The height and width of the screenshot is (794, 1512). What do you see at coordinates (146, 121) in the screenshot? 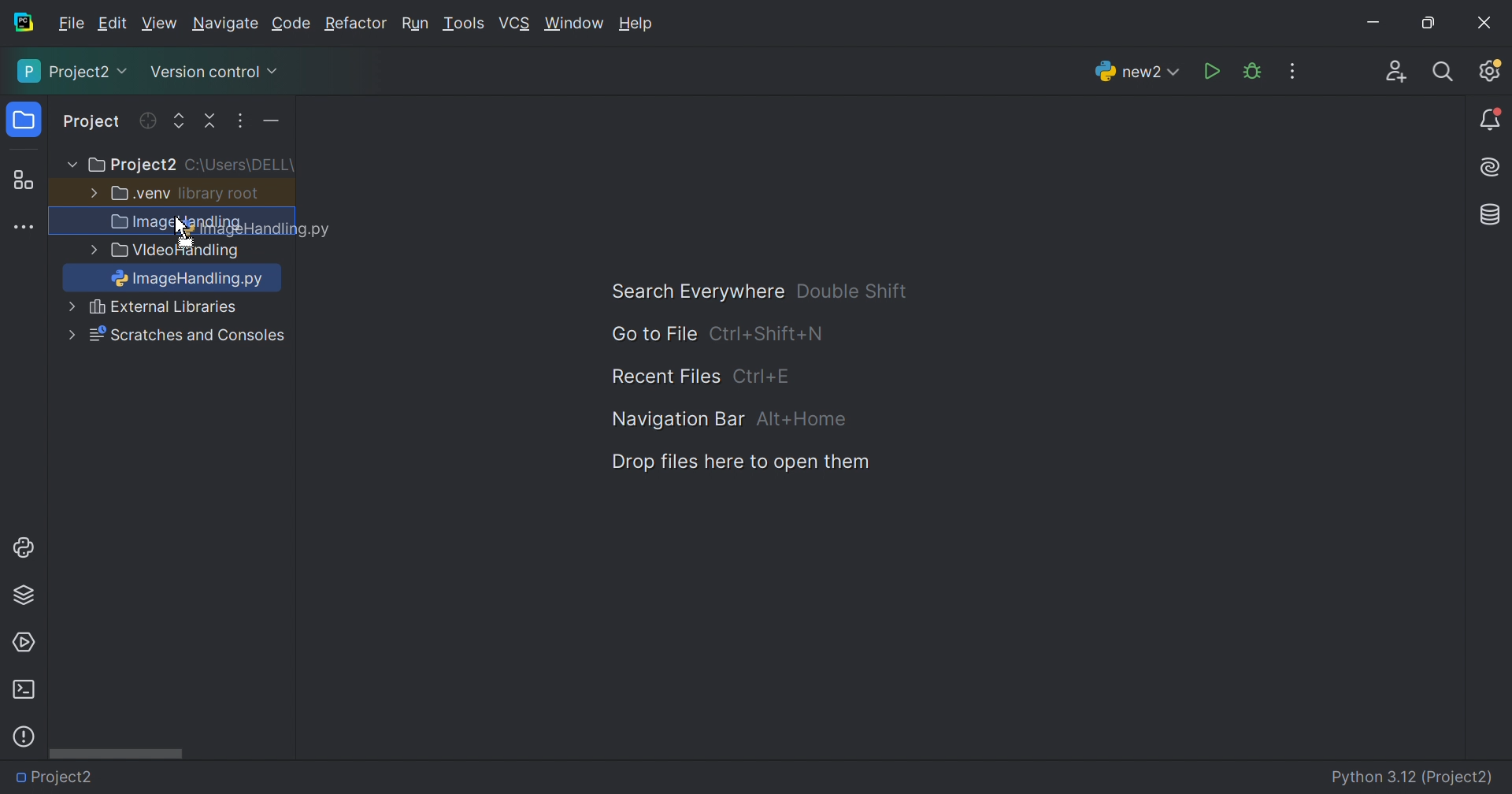
I see `Refresh` at bounding box center [146, 121].